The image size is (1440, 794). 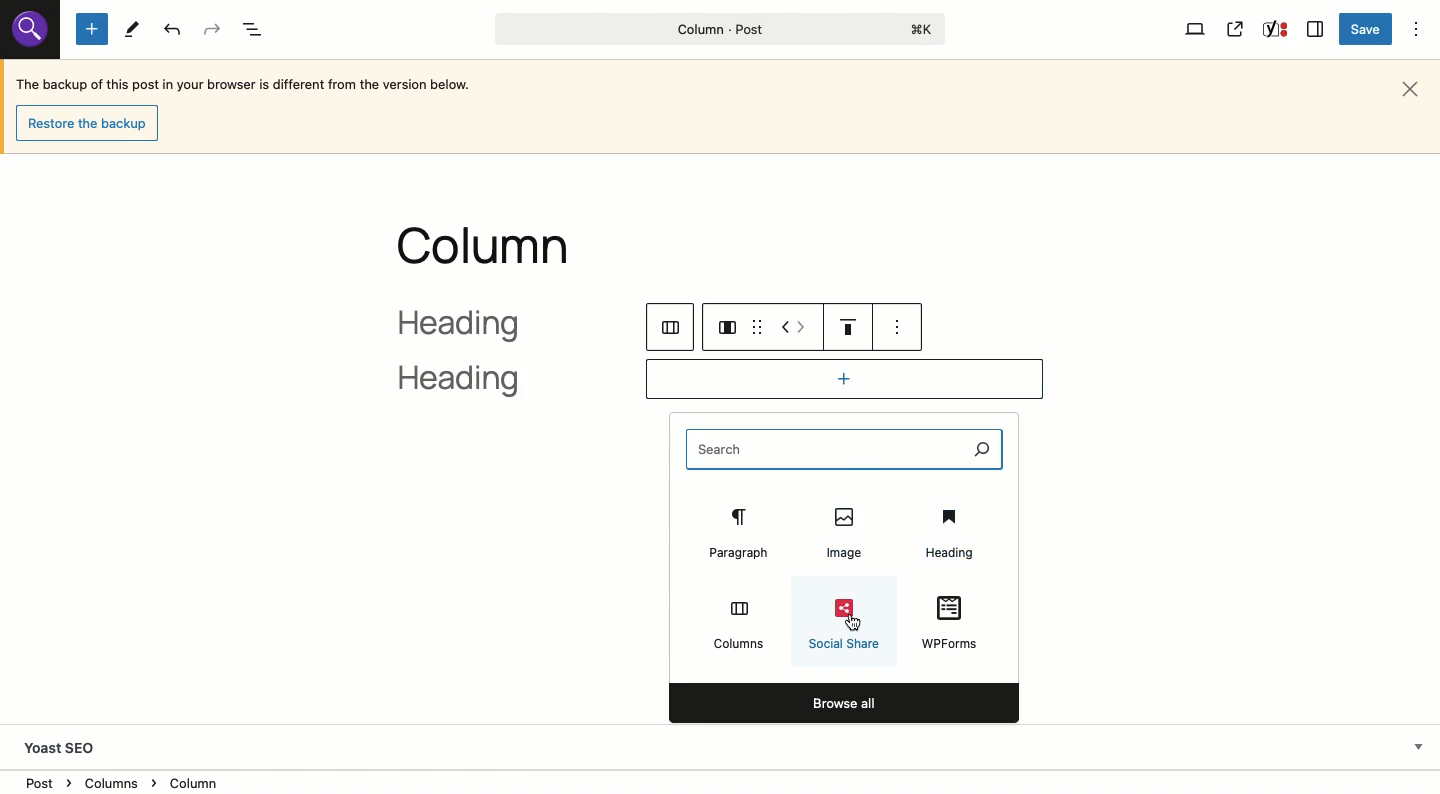 What do you see at coordinates (851, 626) in the screenshot?
I see `cursor` at bounding box center [851, 626].